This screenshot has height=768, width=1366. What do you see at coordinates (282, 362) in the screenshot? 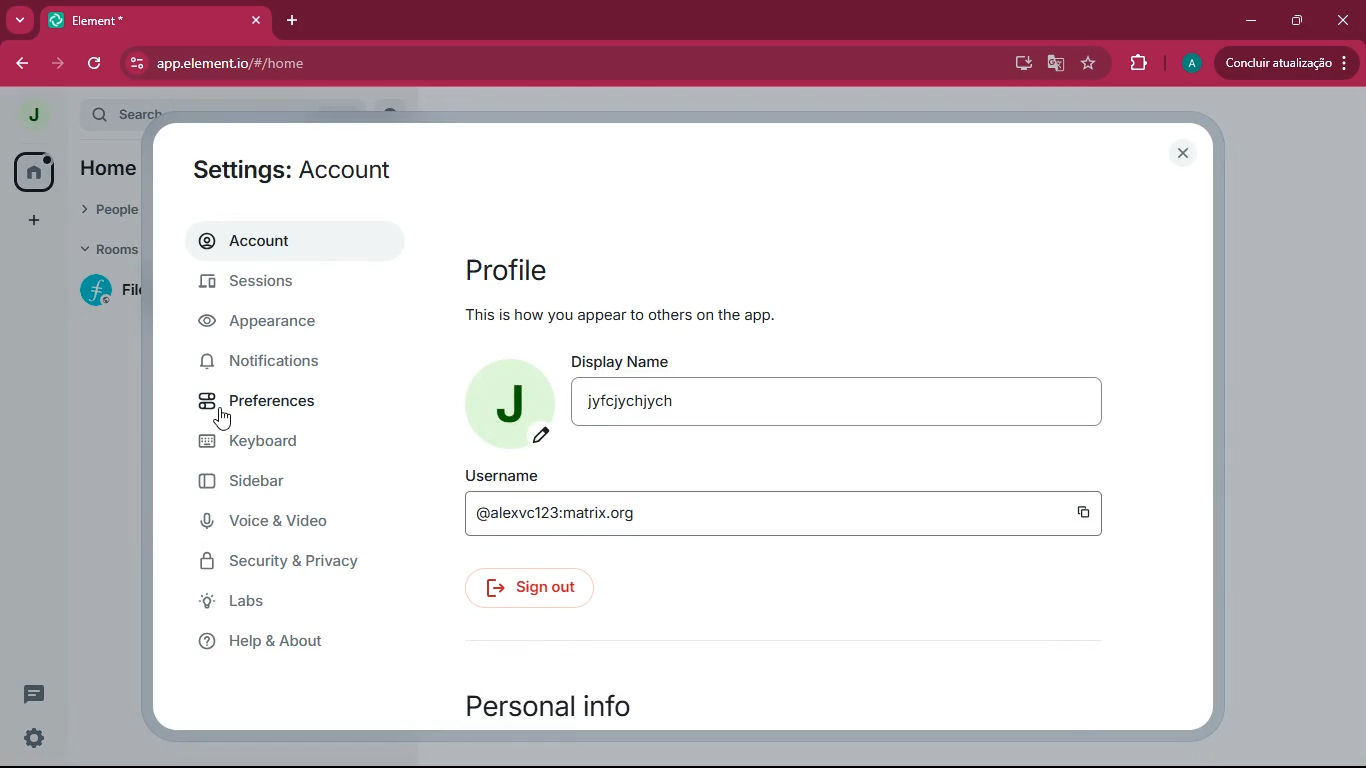
I see `notifications` at bounding box center [282, 362].